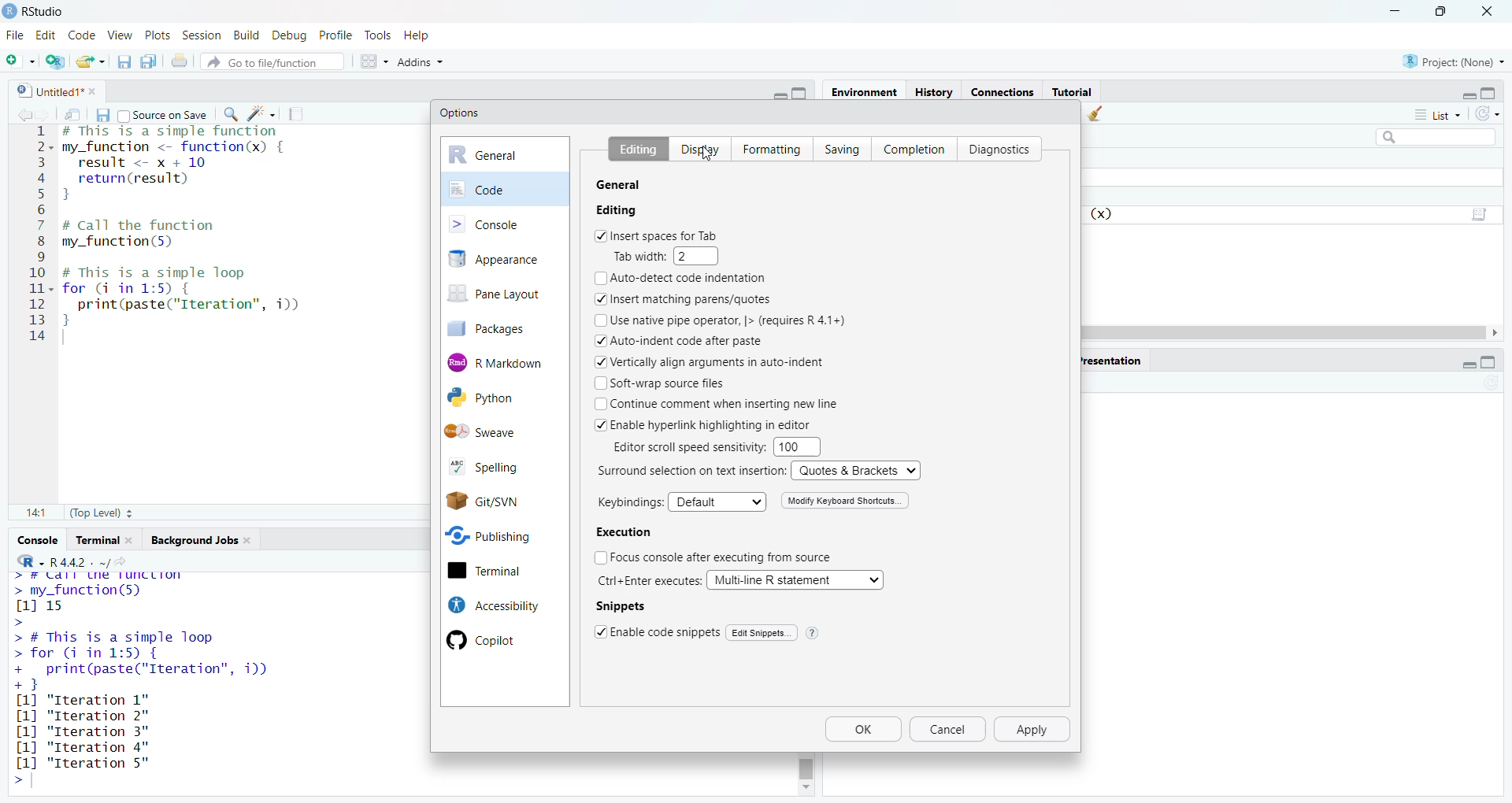  I want to click on packages, so click(498, 328).